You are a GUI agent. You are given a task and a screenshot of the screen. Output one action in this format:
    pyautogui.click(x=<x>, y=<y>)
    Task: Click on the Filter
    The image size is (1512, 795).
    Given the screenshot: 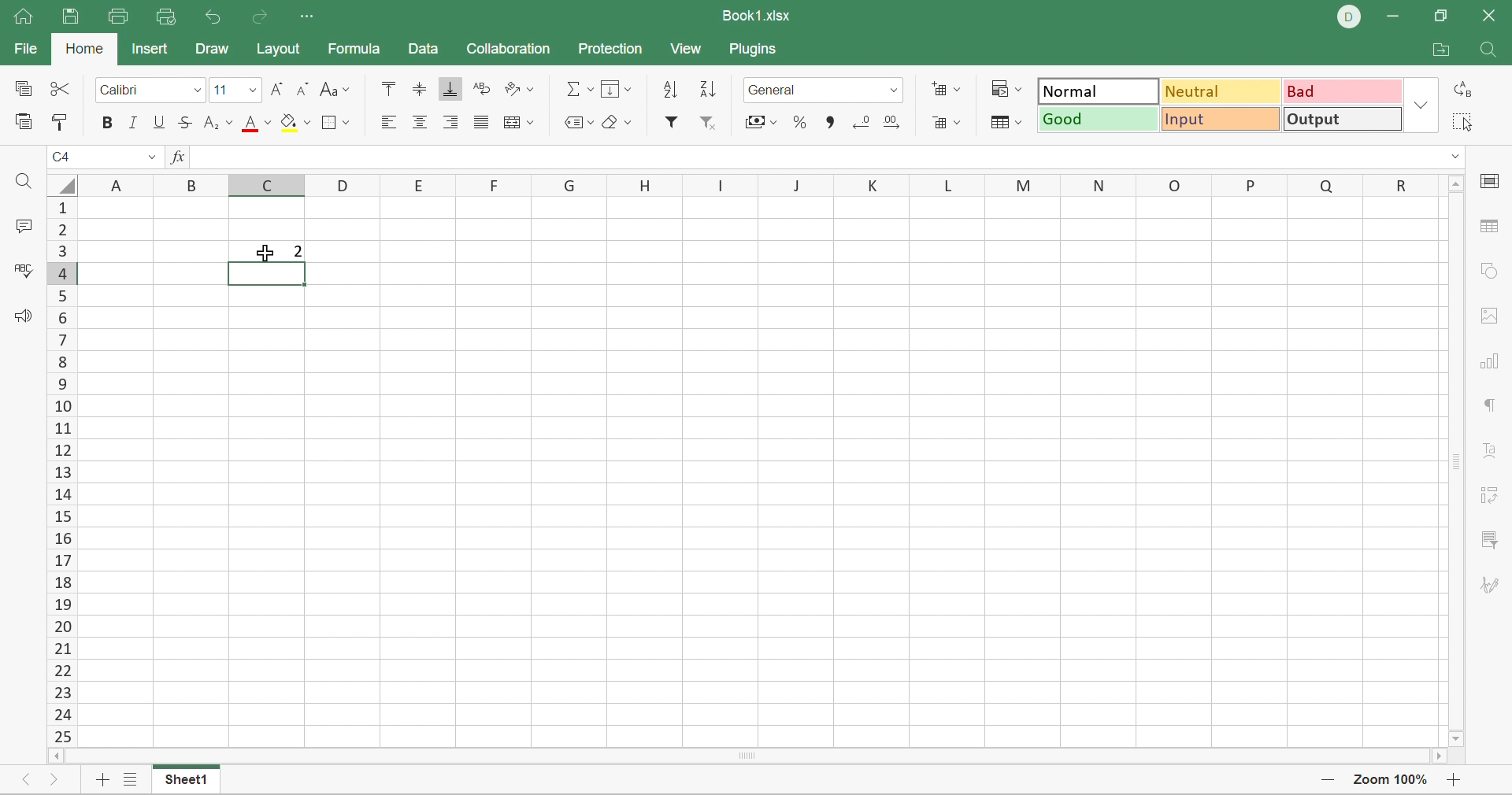 What is the action you would take?
    pyautogui.click(x=673, y=123)
    